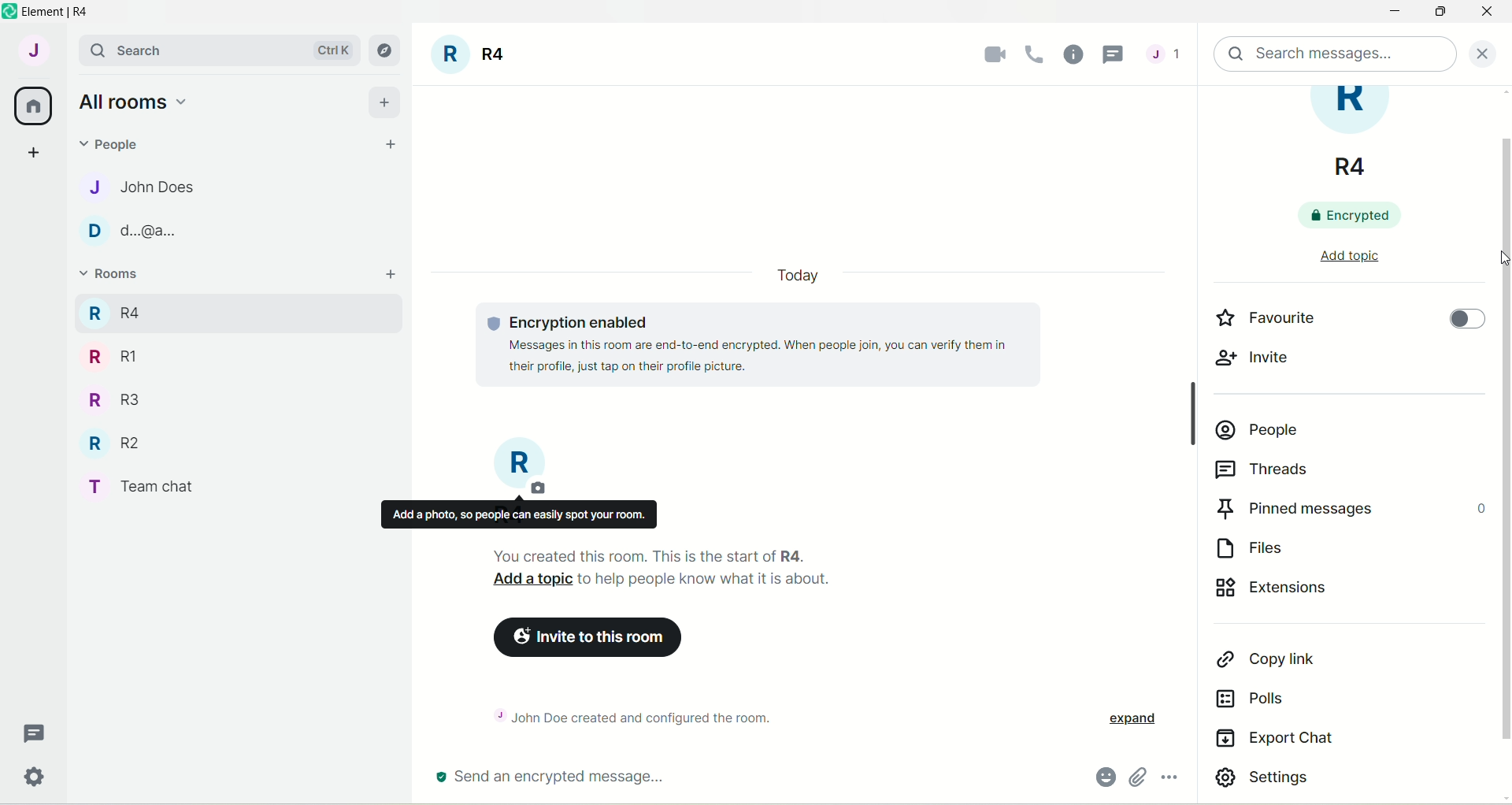 The height and width of the screenshot is (805, 1512). I want to click on D d.@a.., so click(127, 231).